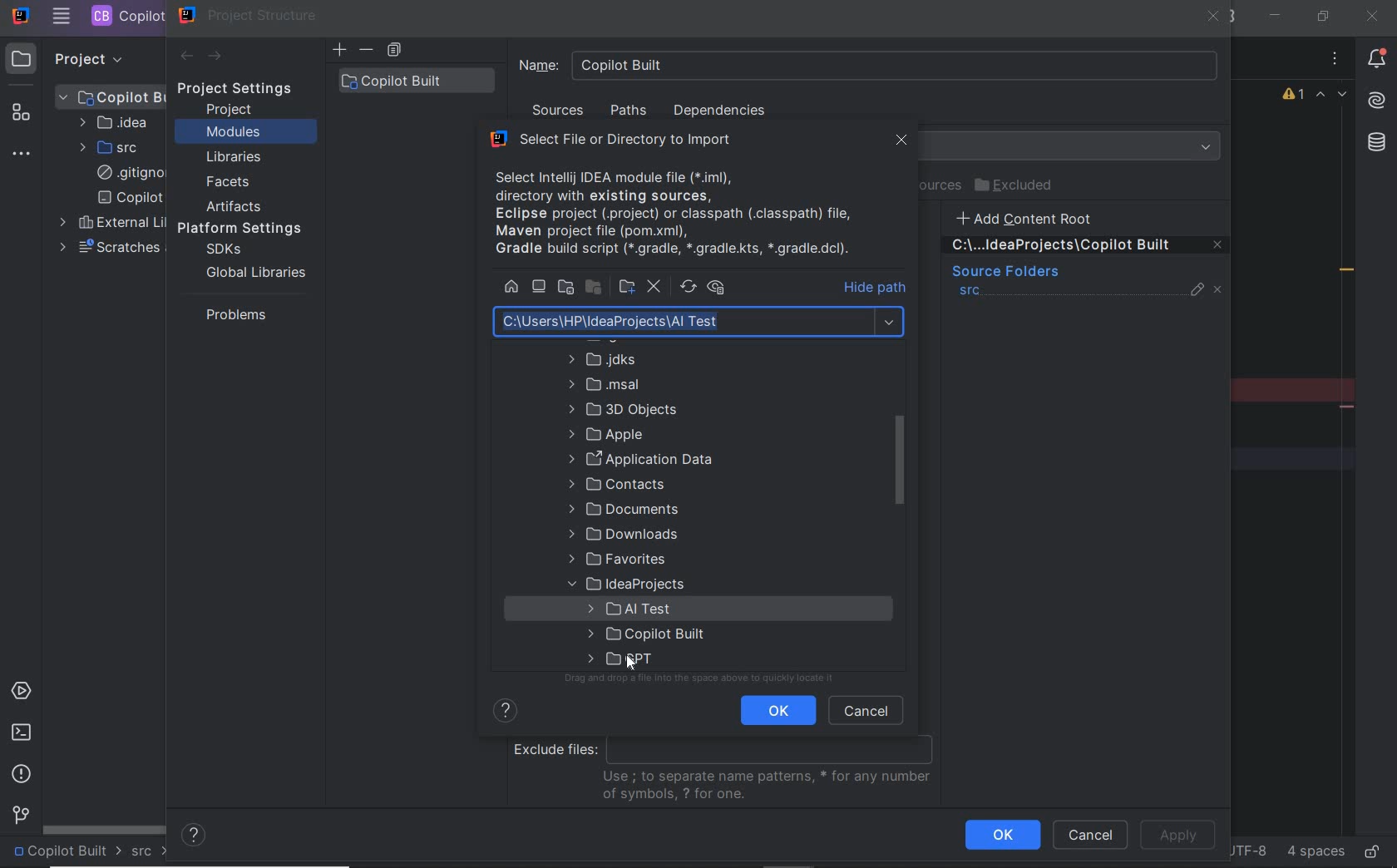  I want to click on AI Assistant, so click(1375, 101).